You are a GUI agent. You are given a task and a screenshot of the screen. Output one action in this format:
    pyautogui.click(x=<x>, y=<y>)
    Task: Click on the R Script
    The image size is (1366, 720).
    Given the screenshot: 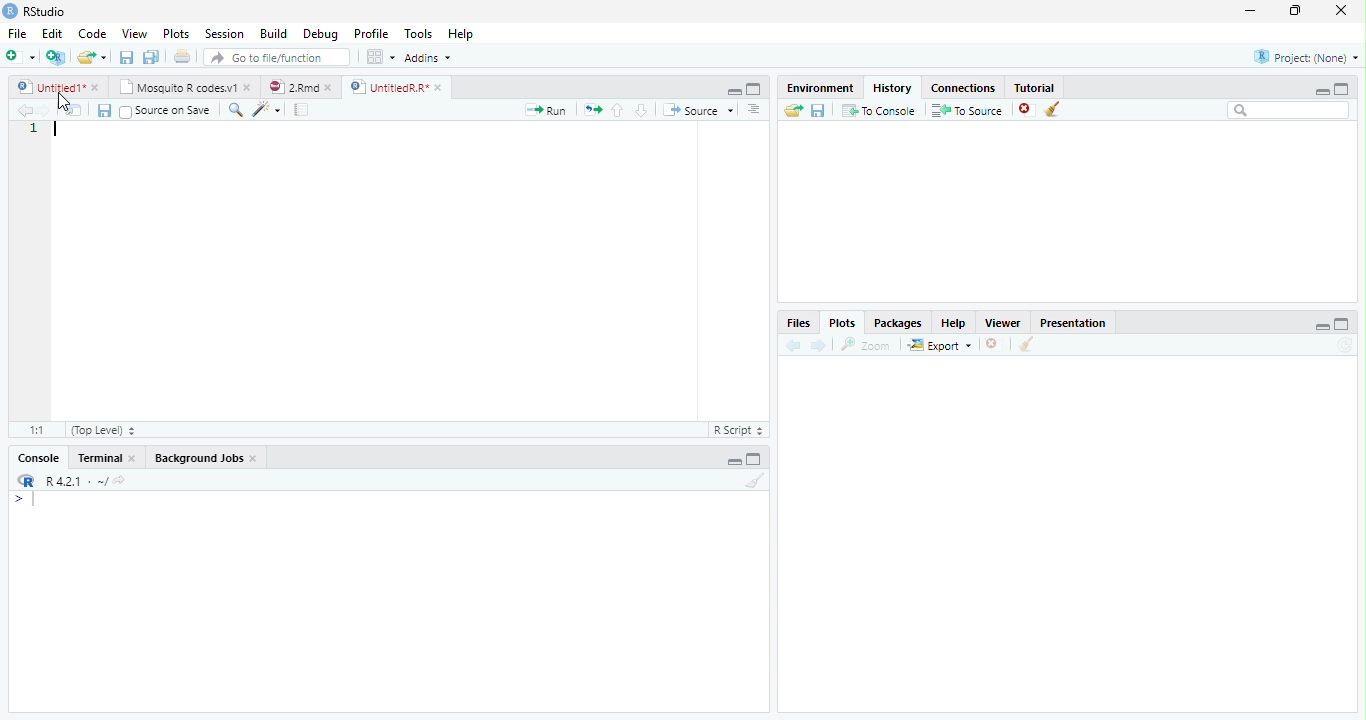 What is the action you would take?
    pyautogui.click(x=738, y=431)
    